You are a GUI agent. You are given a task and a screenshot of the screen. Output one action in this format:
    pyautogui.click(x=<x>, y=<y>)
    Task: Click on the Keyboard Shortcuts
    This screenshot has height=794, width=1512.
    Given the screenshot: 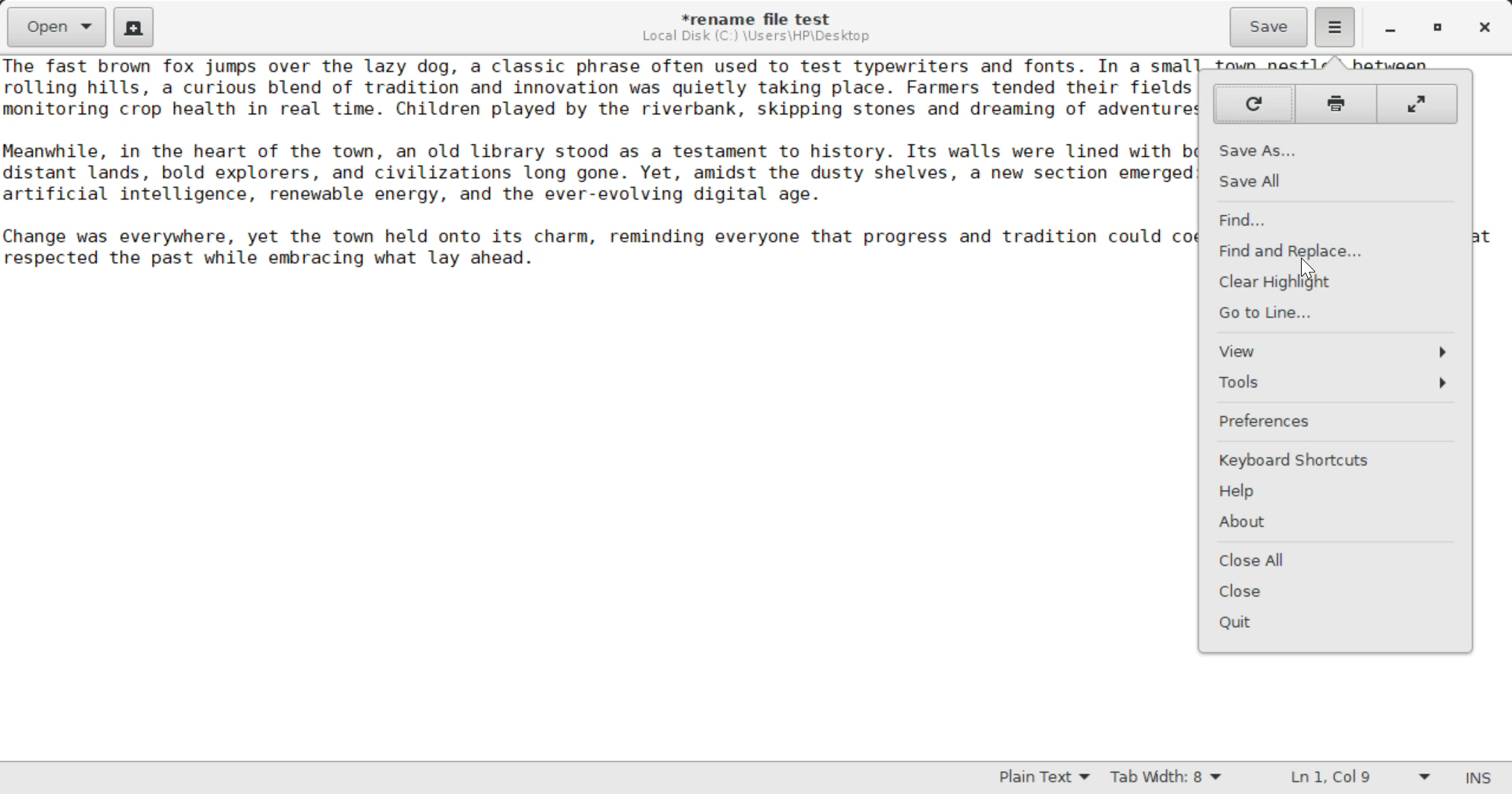 What is the action you would take?
    pyautogui.click(x=1336, y=462)
    